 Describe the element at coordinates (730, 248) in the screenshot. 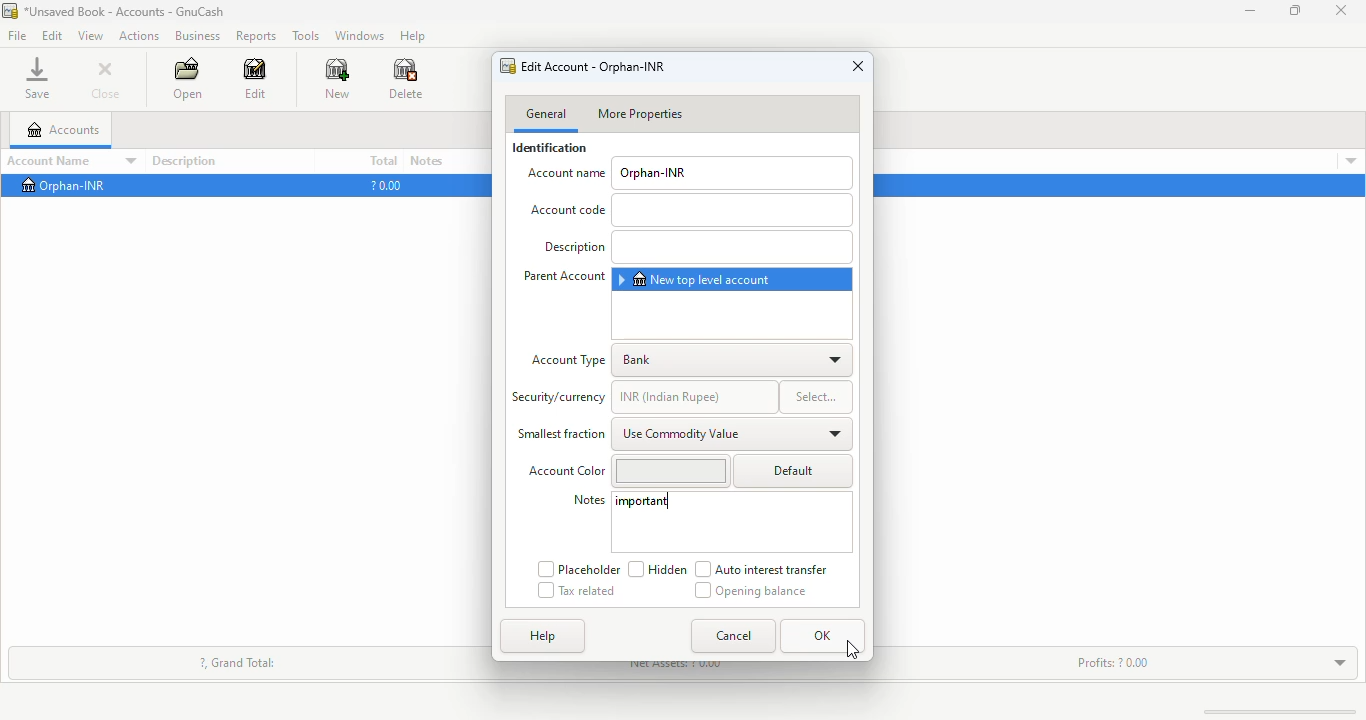

I see `add description` at that location.